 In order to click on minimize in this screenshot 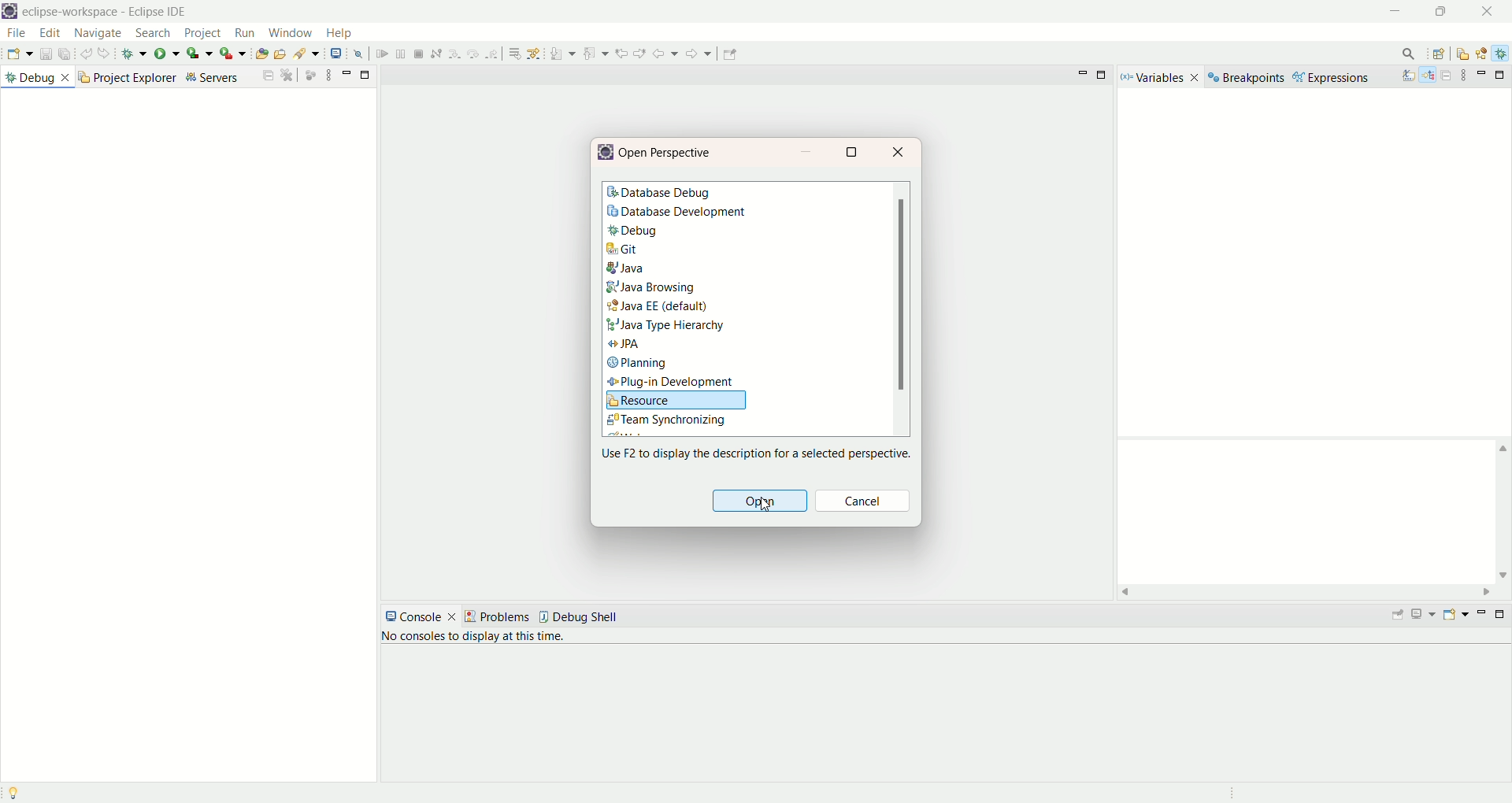, I will do `click(812, 151)`.